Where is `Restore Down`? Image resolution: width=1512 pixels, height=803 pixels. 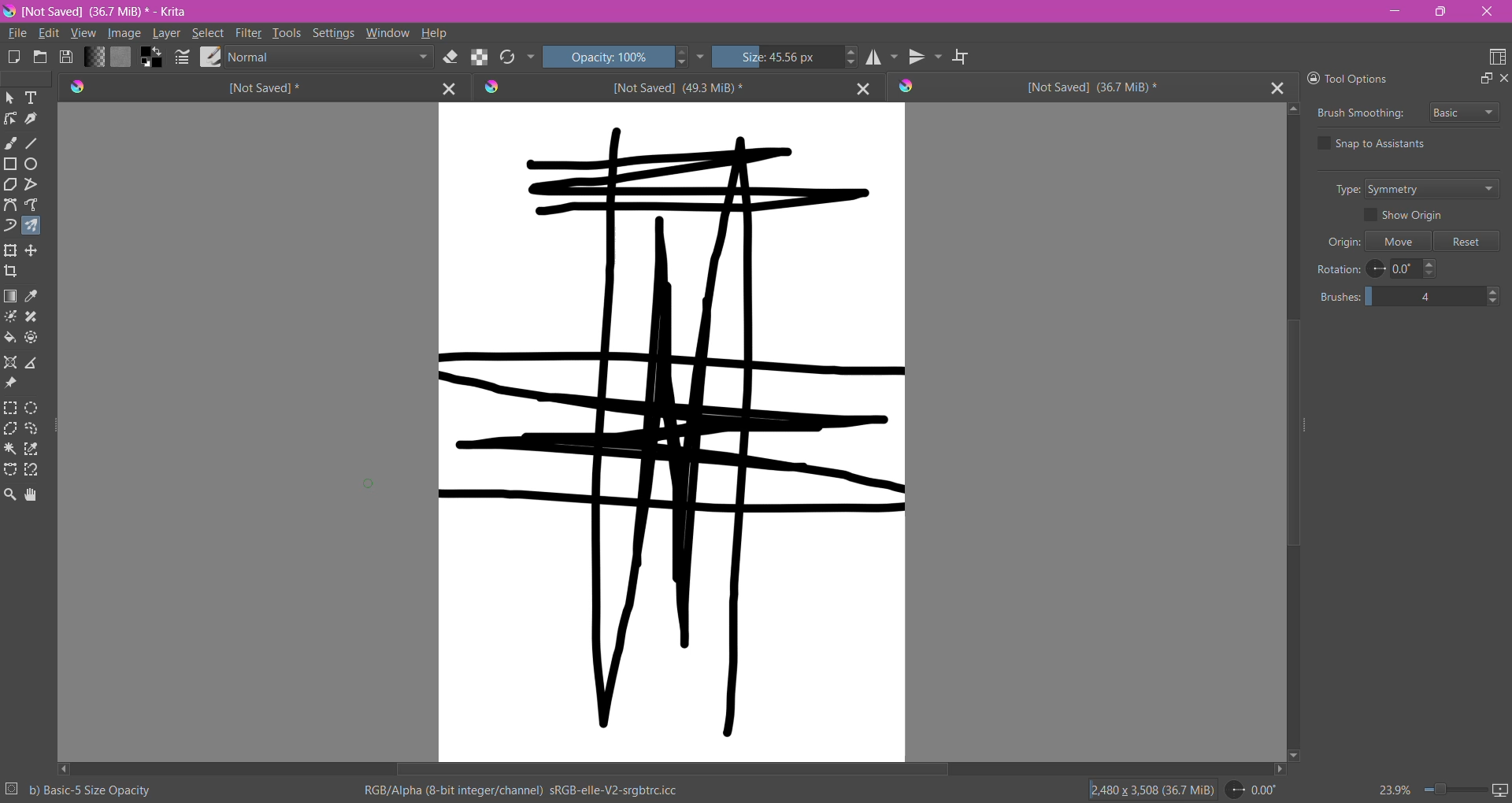 Restore Down is located at coordinates (1443, 12).